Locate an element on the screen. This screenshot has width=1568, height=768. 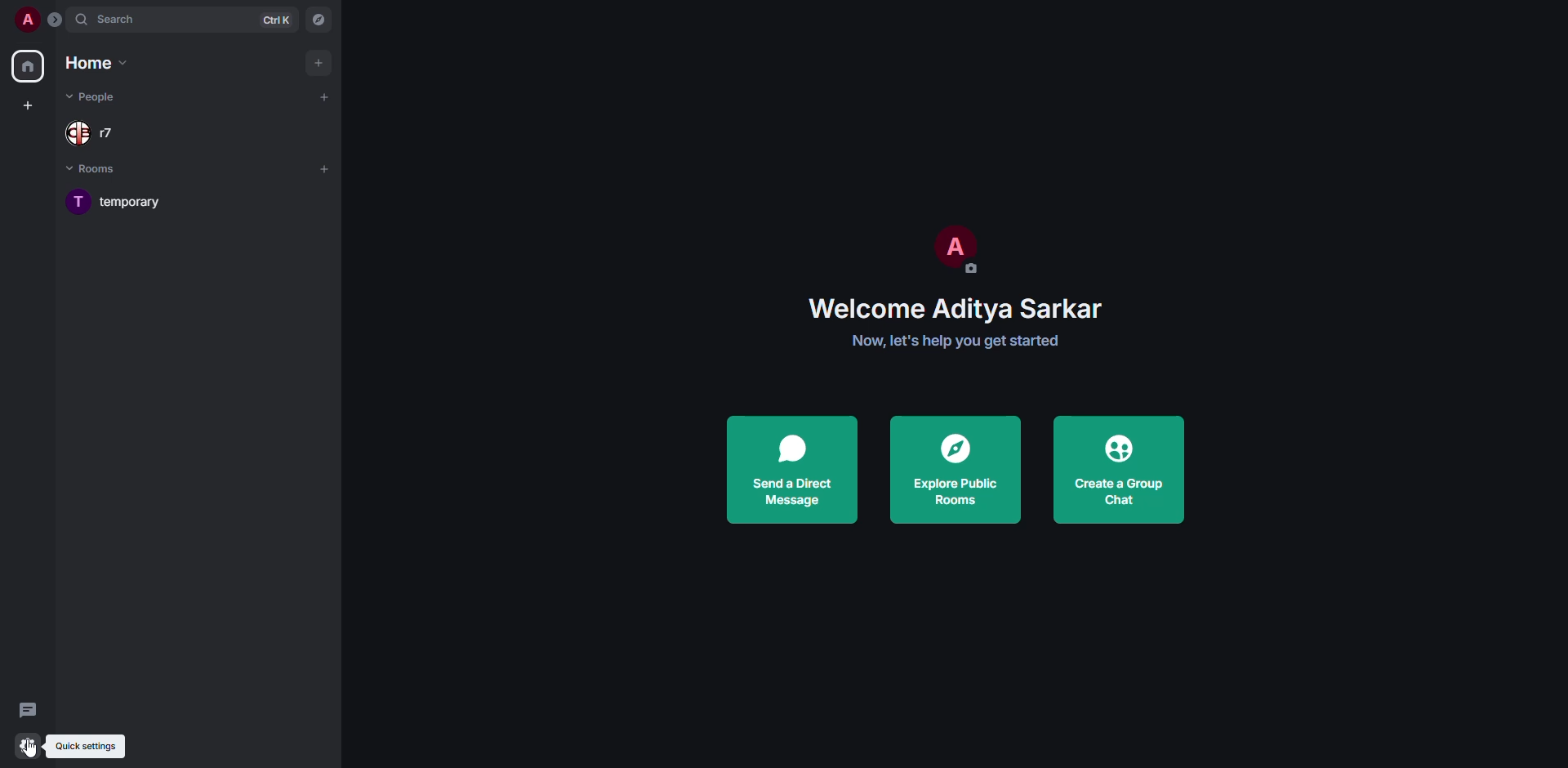
rooms is located at coordinates (101, 170).